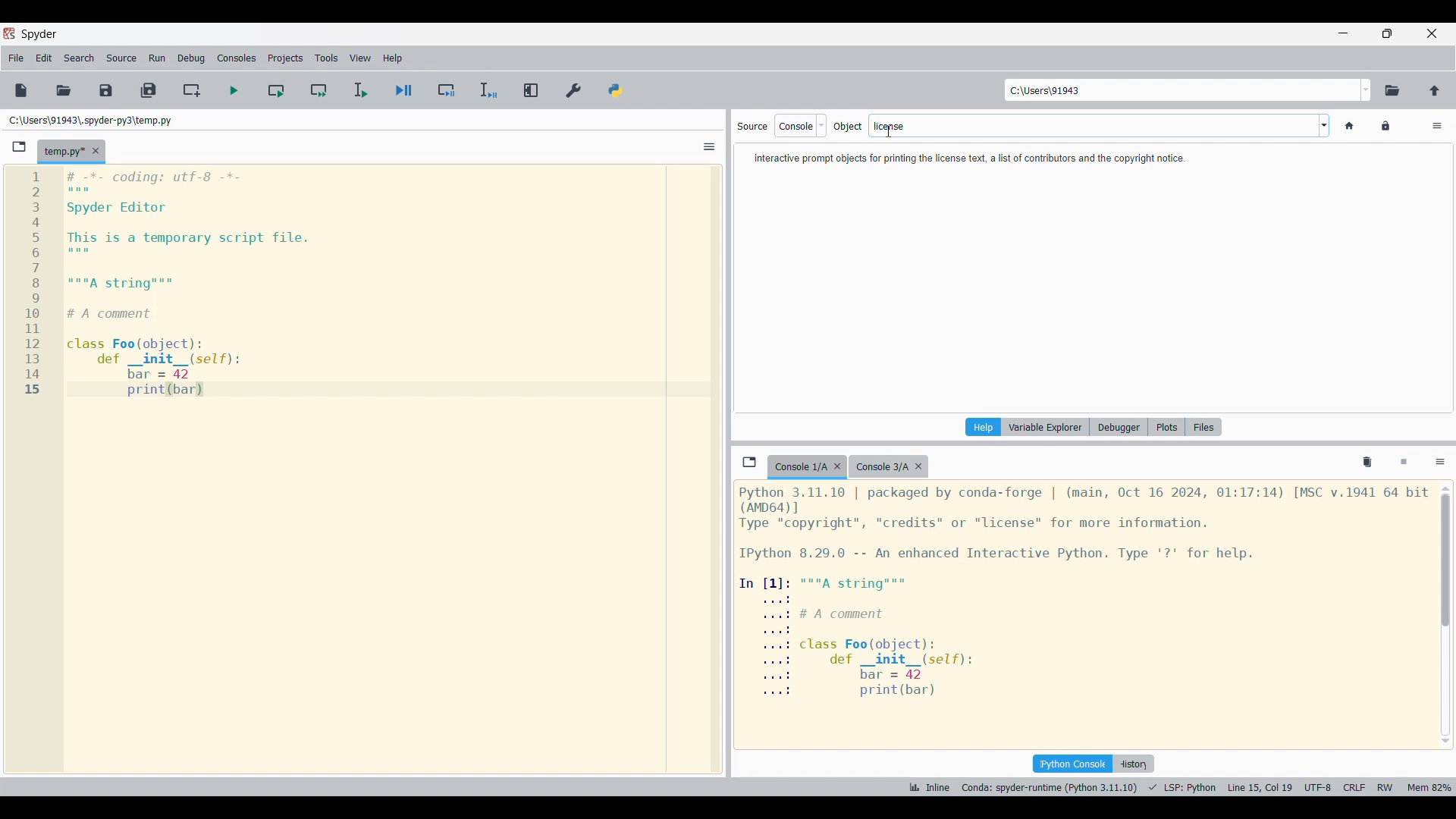 The height and width of the screenshot is (819, 1456). Describe the element at coordinates (1324, 125) in the screenshot. I see `Word options` at that location.